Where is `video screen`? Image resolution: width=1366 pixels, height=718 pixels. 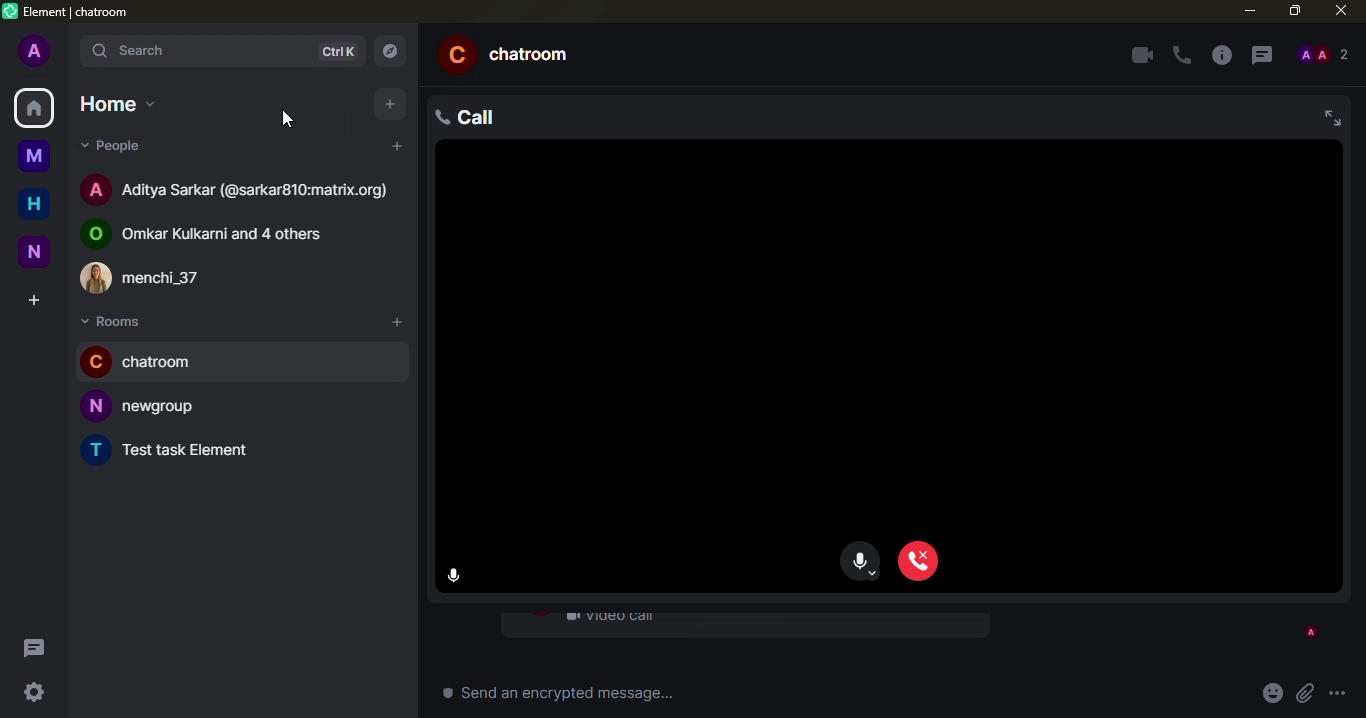
video screen is located at coordinates (888, 342).